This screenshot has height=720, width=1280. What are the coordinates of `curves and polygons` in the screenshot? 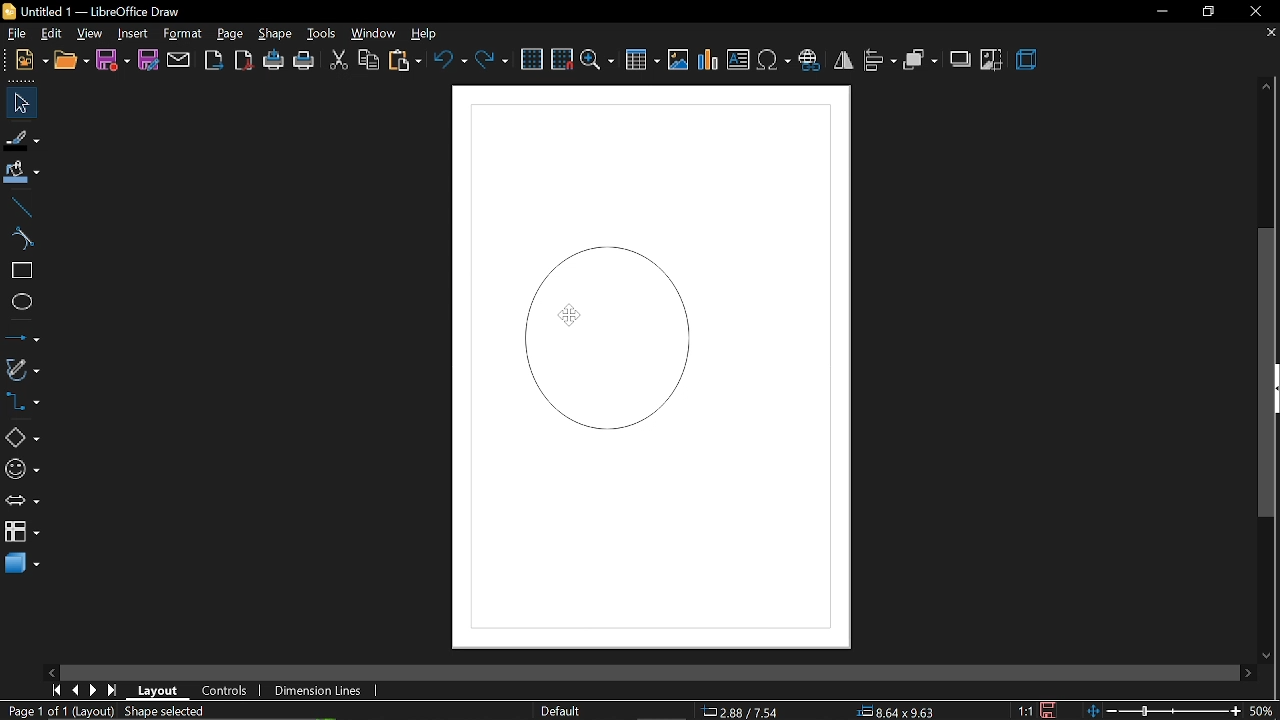 It's located at (24, 369).